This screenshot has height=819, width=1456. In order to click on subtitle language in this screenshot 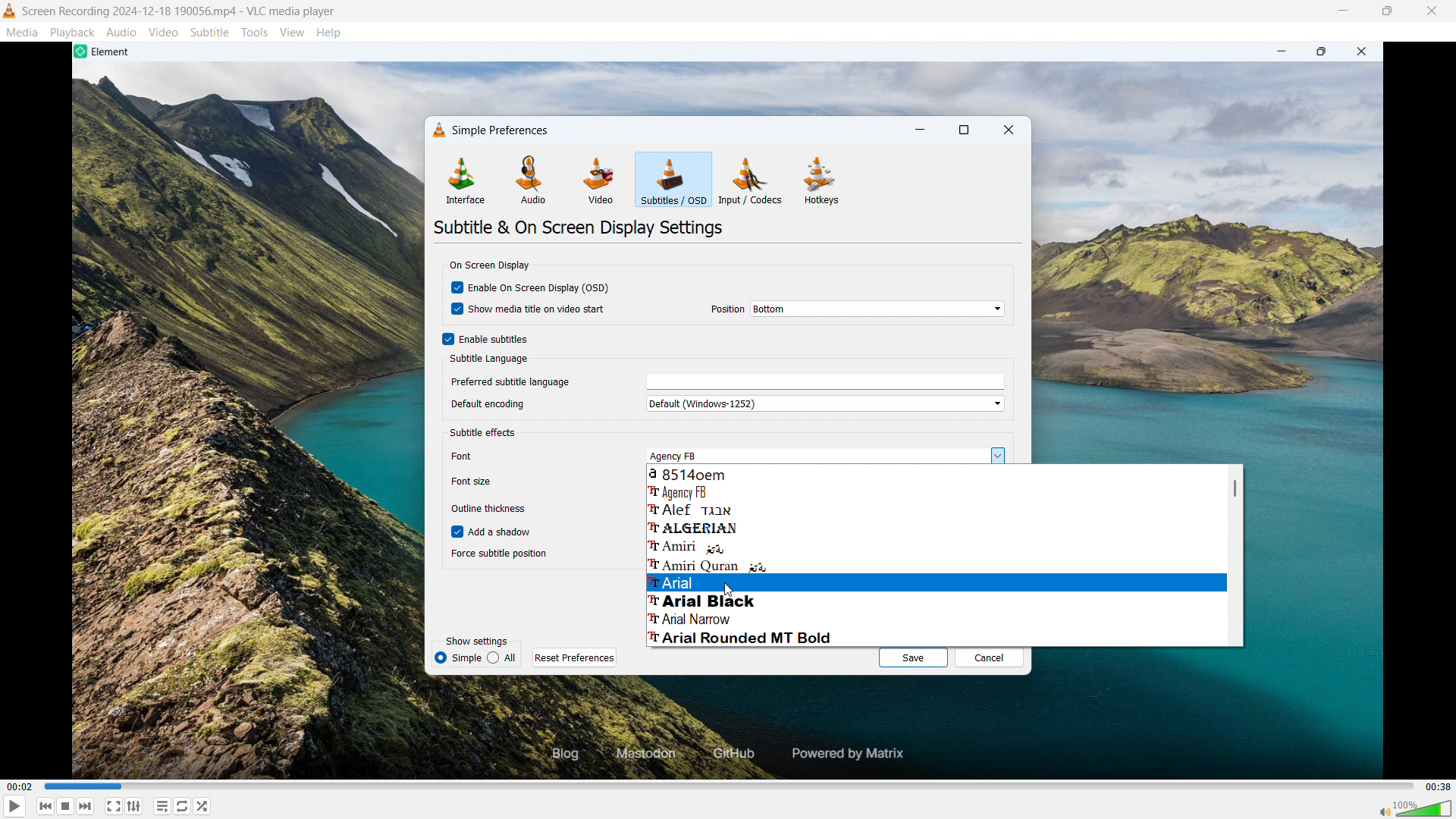, I will do `click(489, 360)`.